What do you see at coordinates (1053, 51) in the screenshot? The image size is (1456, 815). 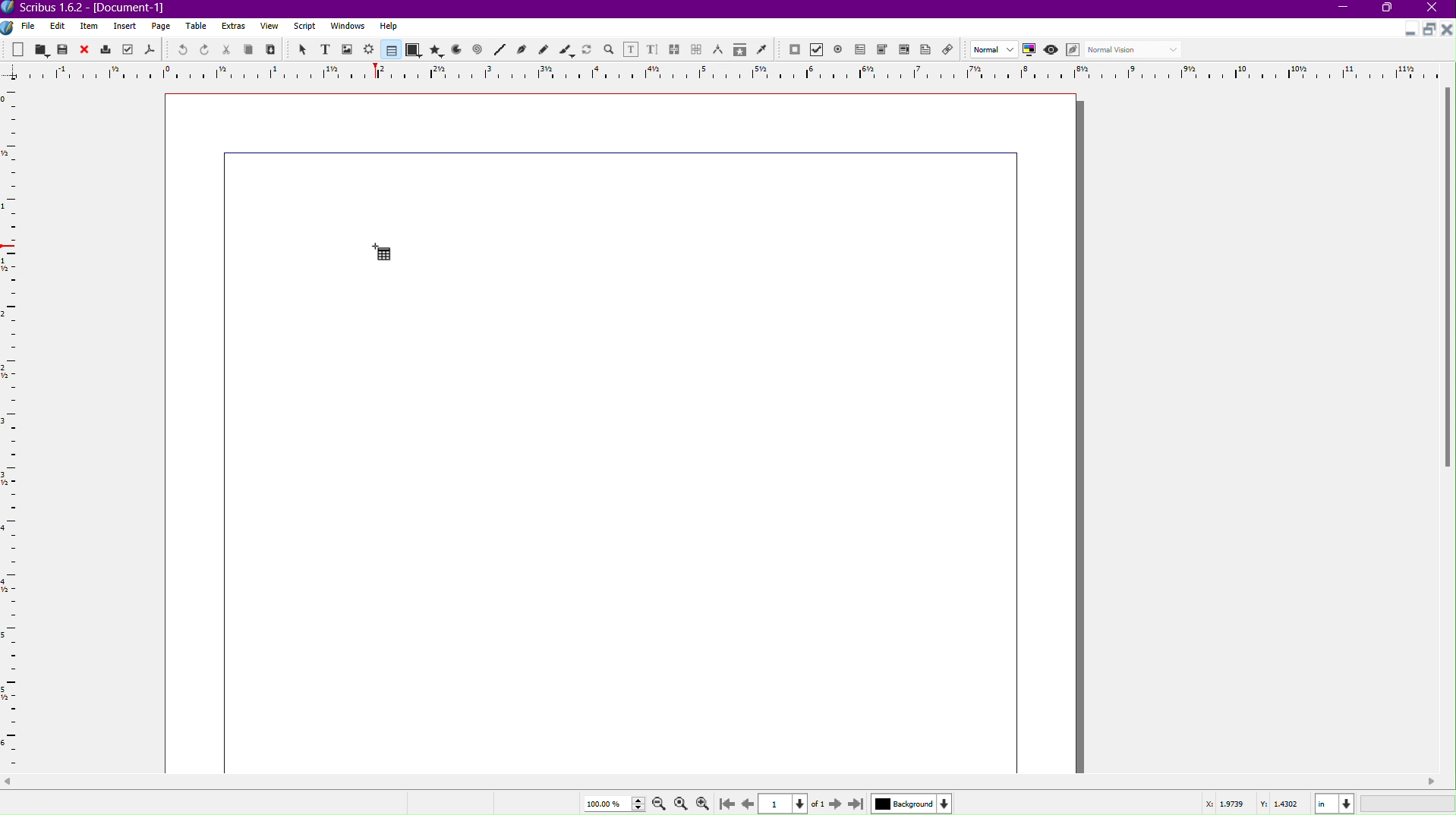 I see `Preview Mode` at bounding box center [1053, 51].